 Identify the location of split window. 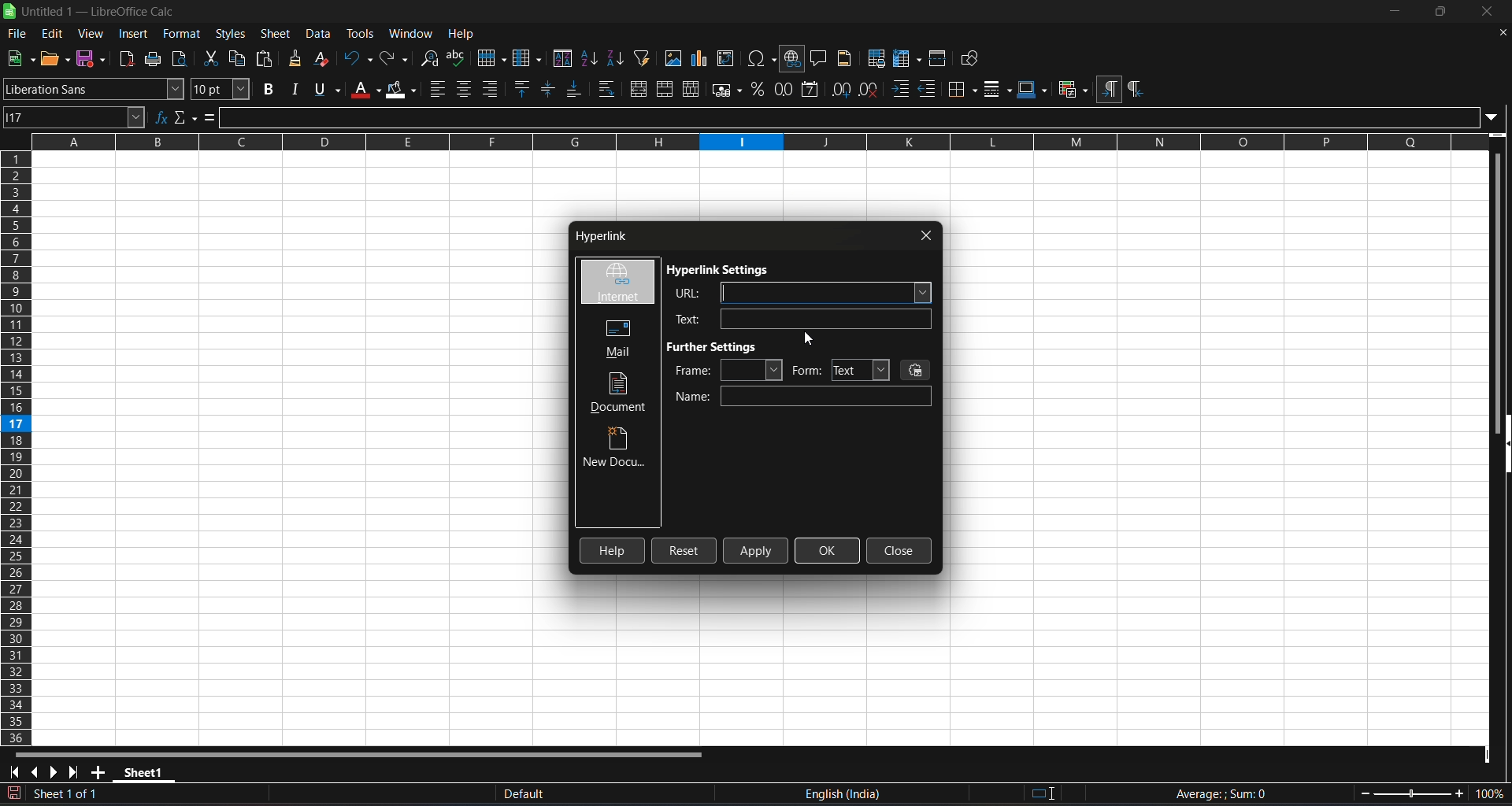
(939, 57).